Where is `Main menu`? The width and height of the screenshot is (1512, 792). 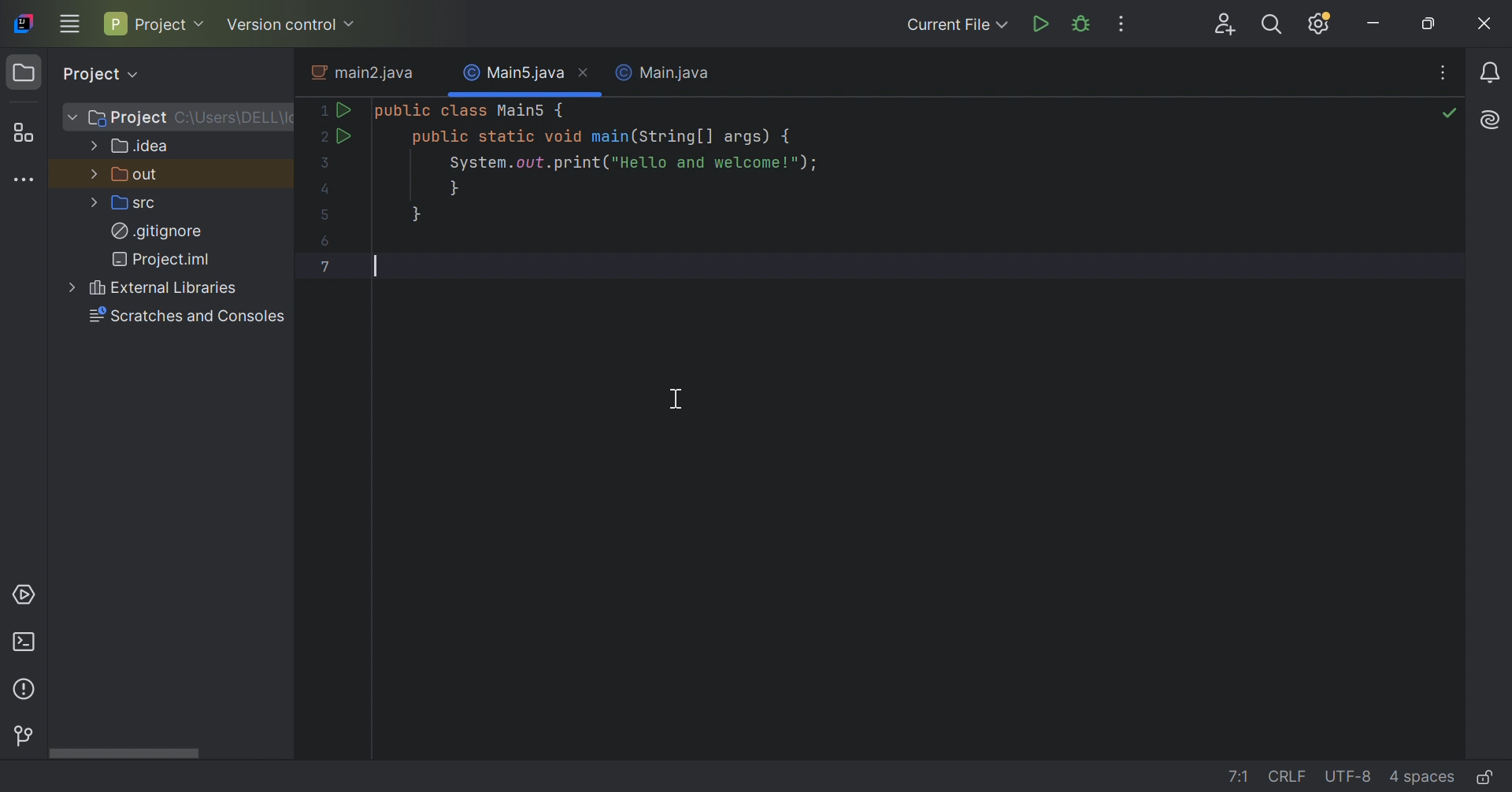 Main menu is located at coordinates (72, 24).